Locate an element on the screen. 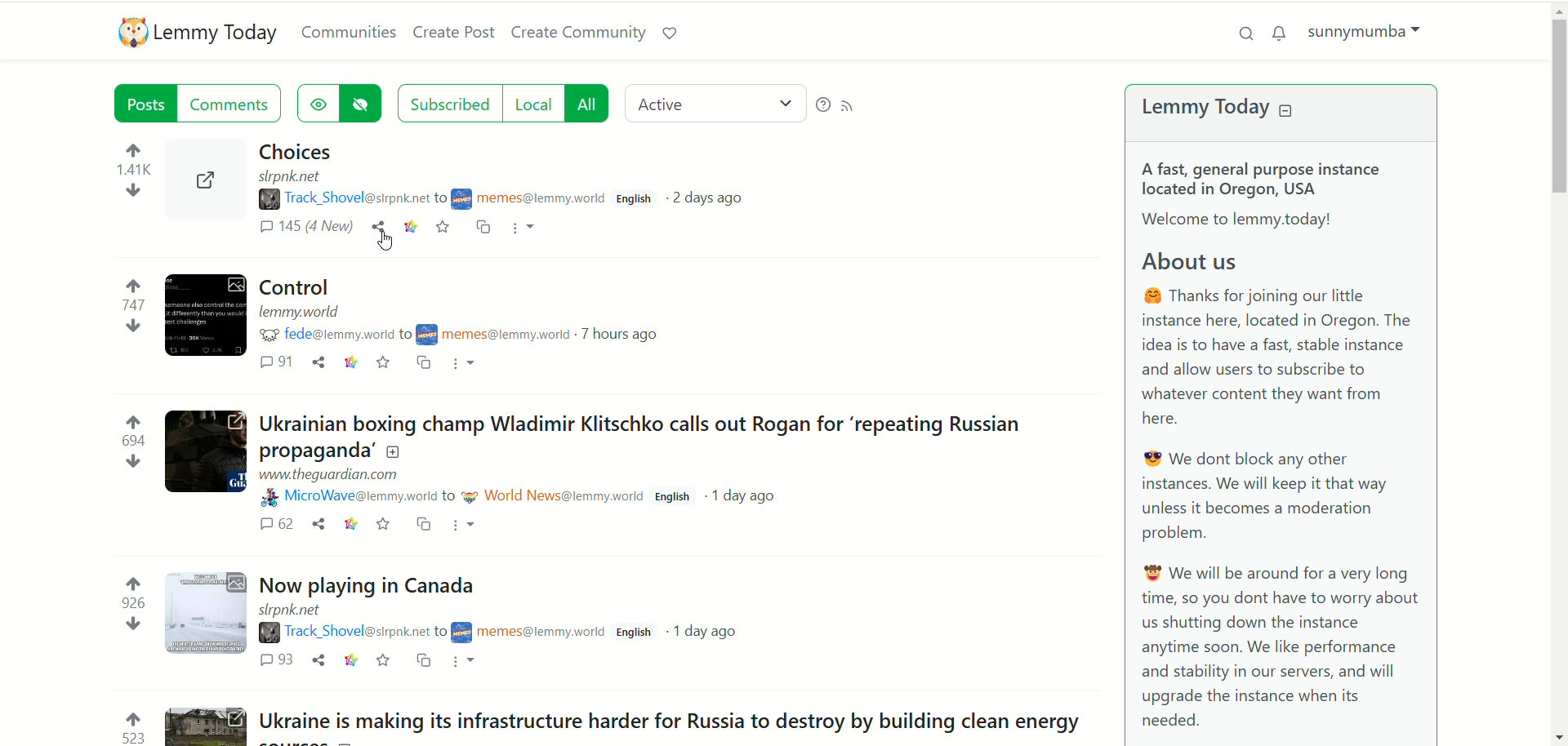 This screenshot has height=746, width=1568. save is located at coordinates (445, 229).